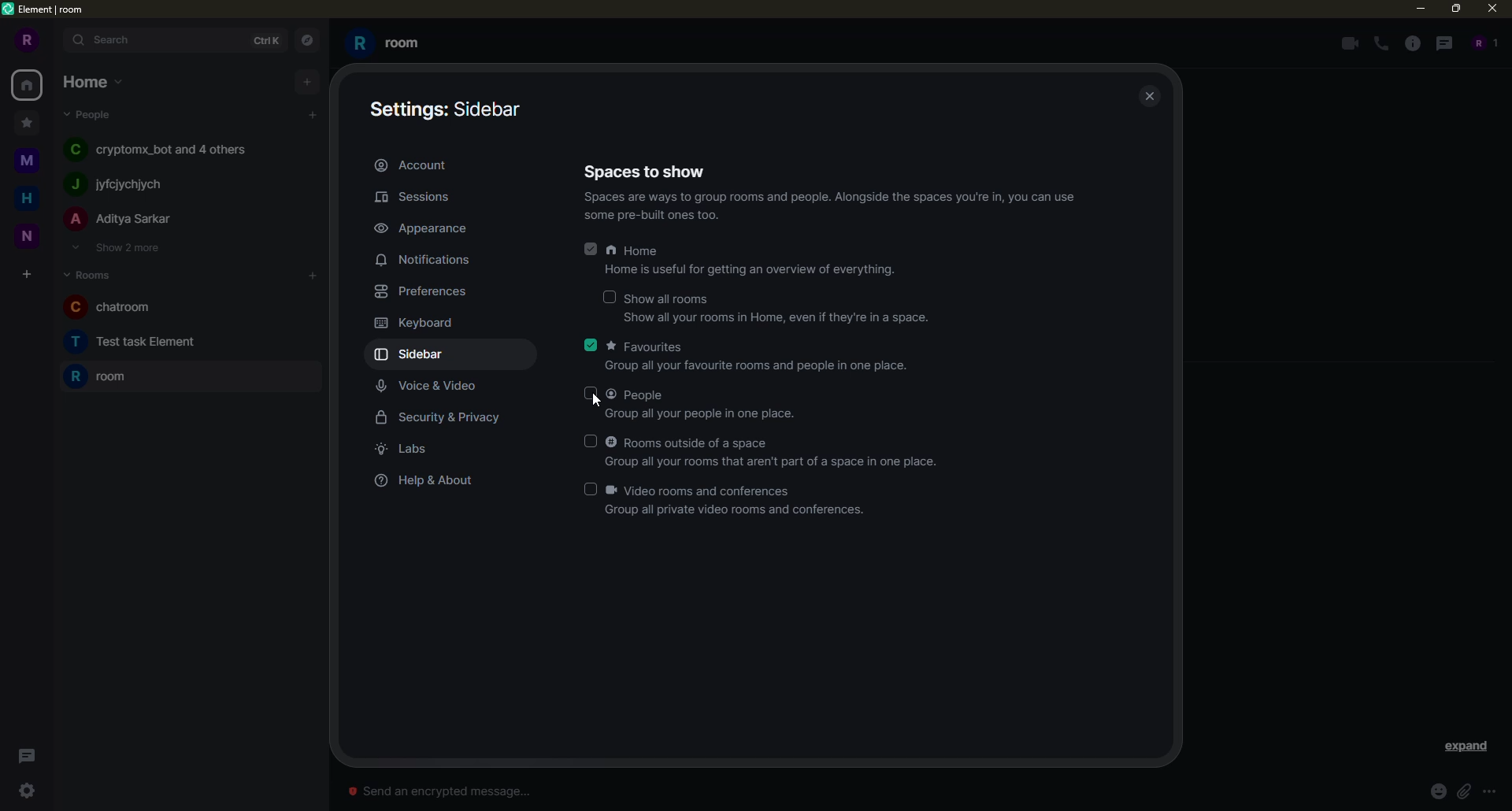  What do you see at coordinates (1416, 9) in the screenshot?
I see `minimize` at bounding box center [1416, 9].